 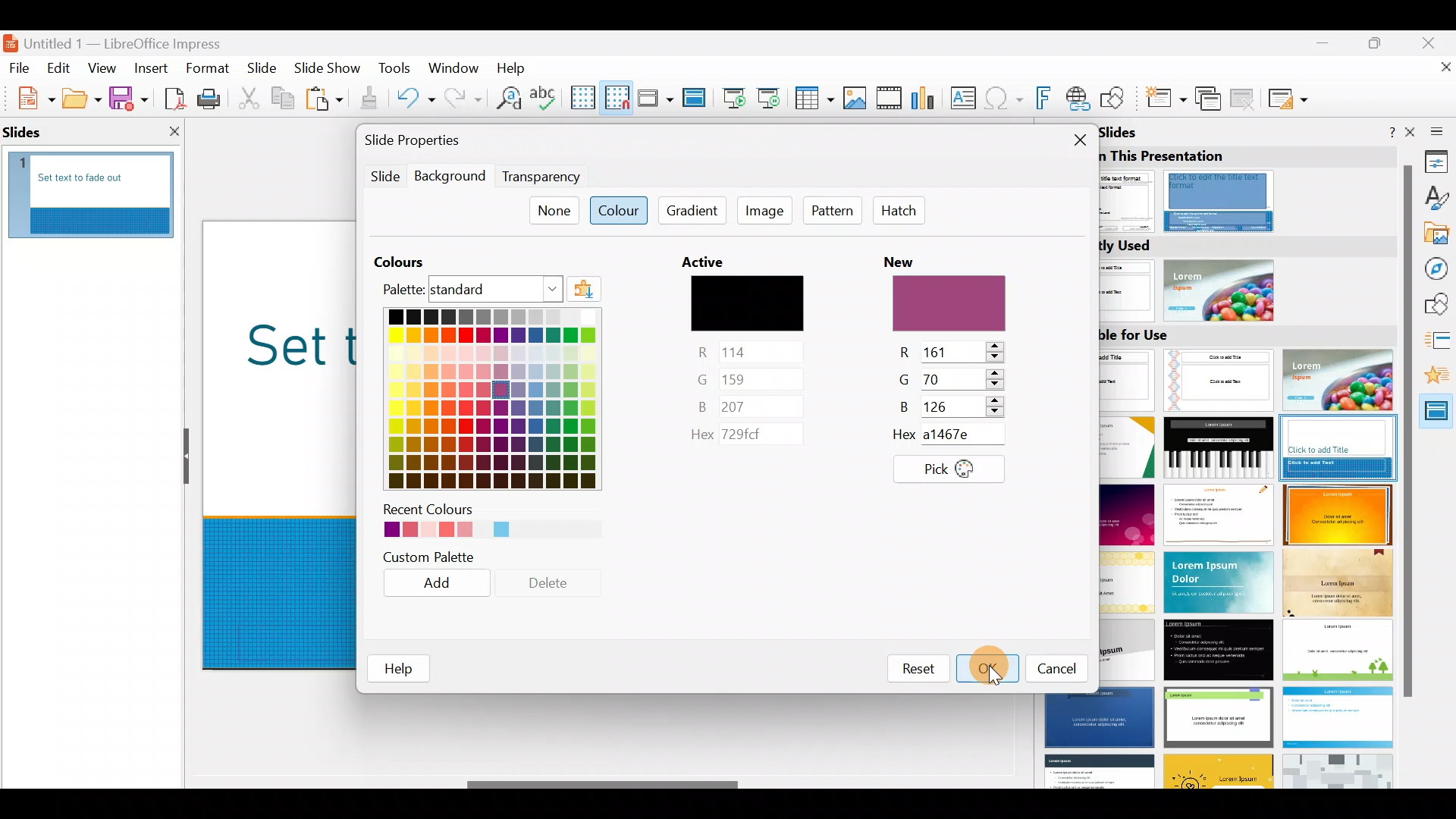 What do you see at coordinates (461, 98) in the screenshot?
I see `Redo` at bounding box center [461, 98].